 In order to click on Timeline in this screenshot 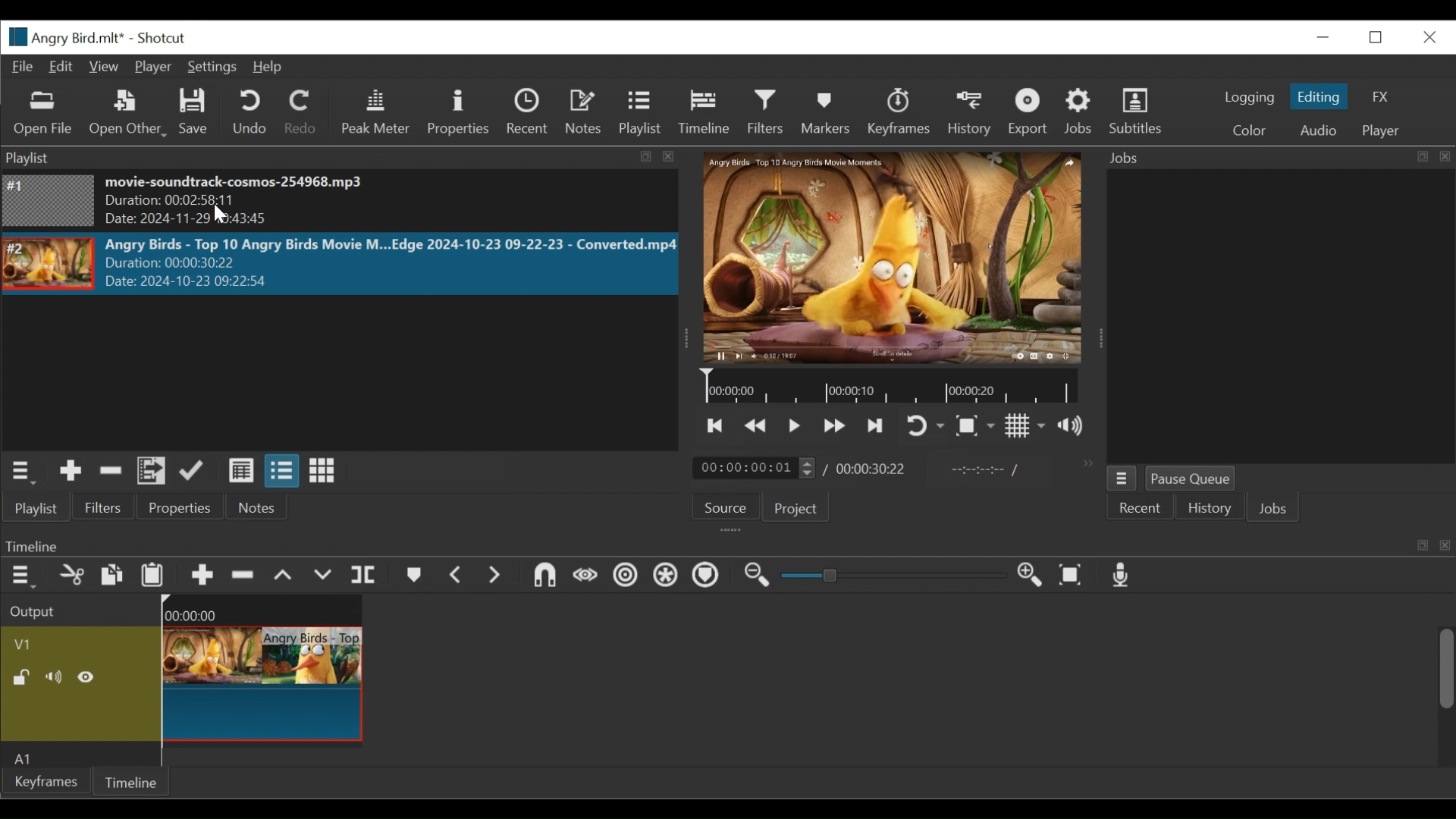, I will do `click(135, 781)`.